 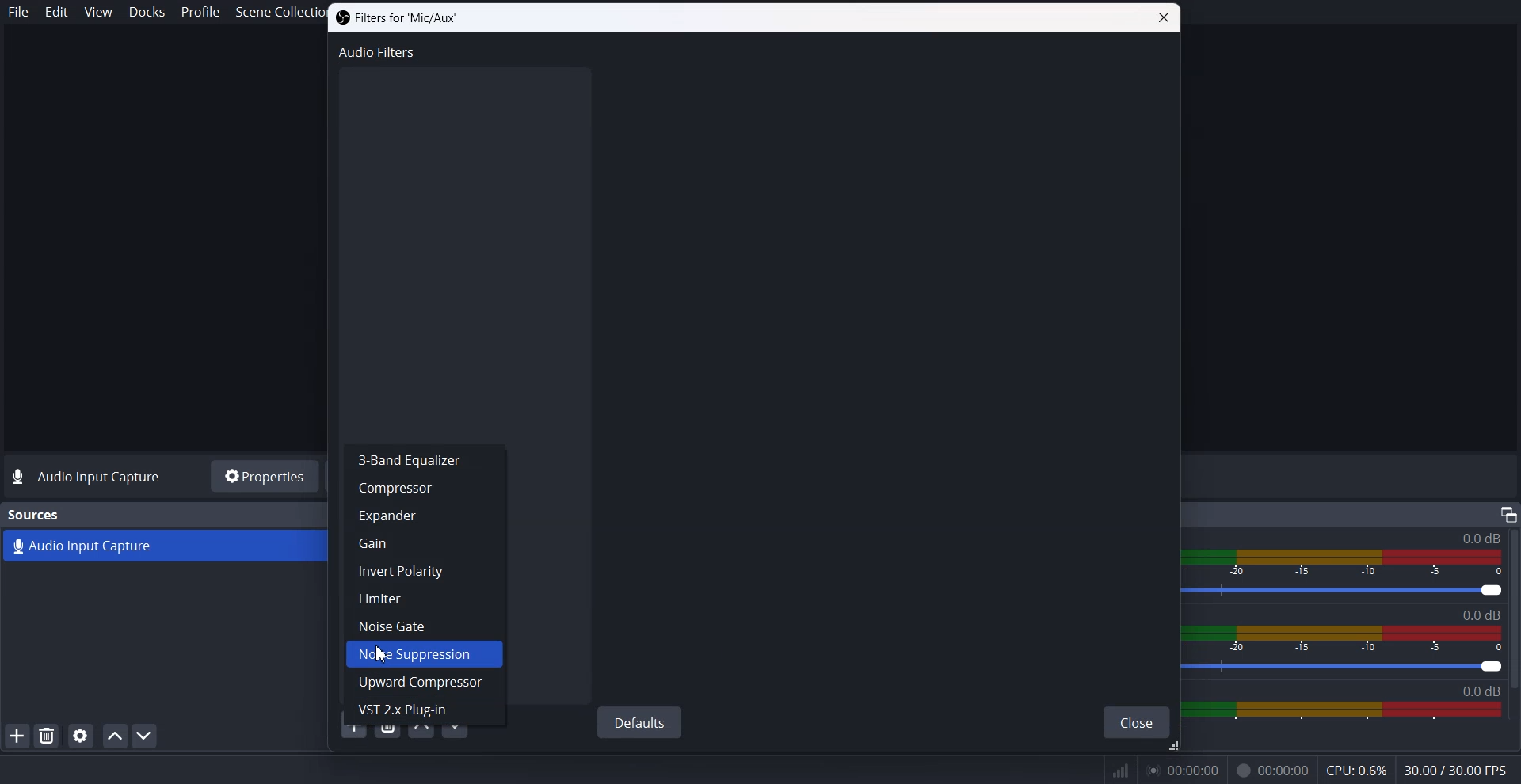 What do you see at coordinates (424, 488) in the screenshot?
I see `Compressor` at bounding box center [424, 488].